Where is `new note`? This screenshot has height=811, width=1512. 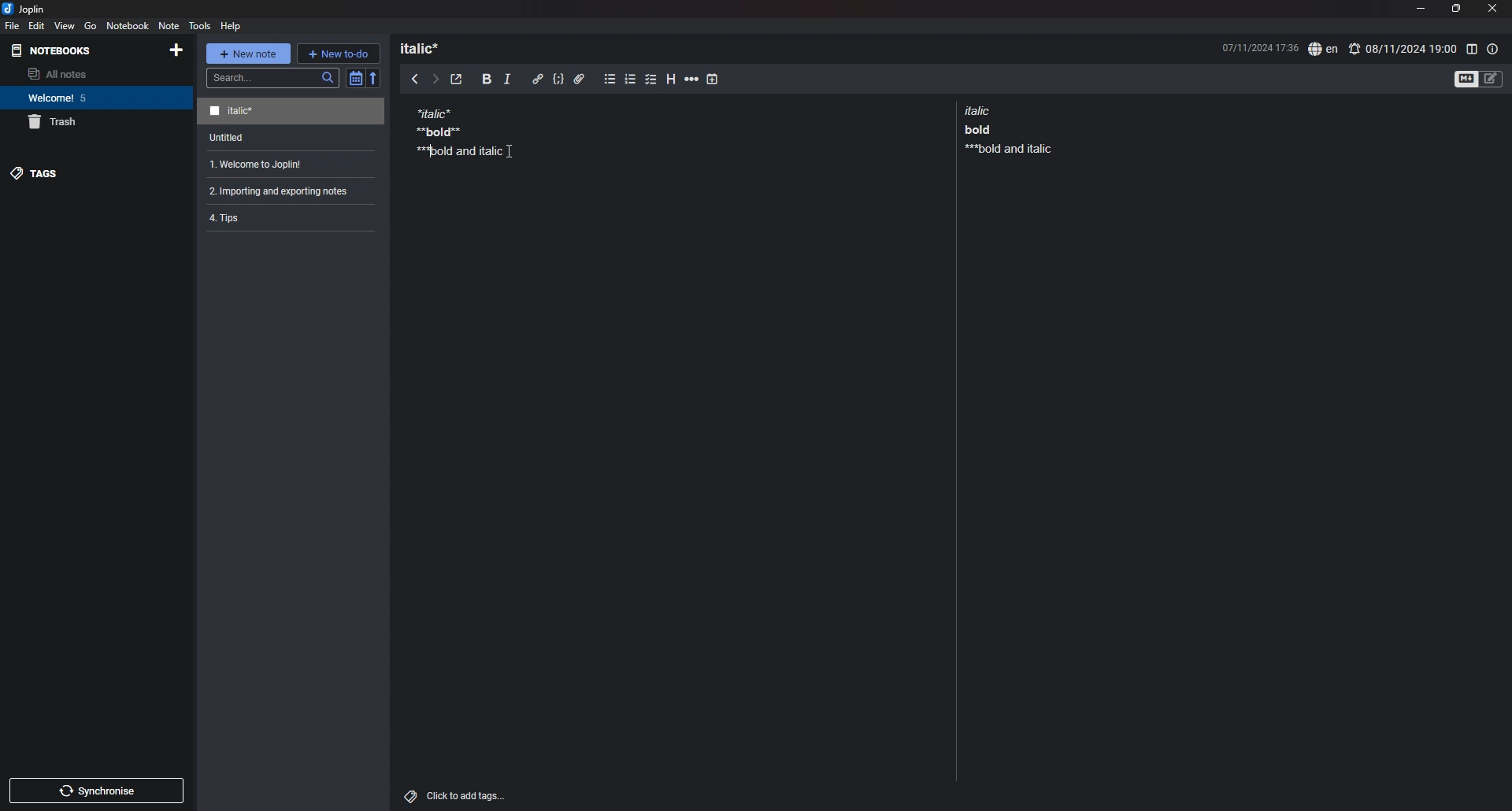 new note is located at coordinates (247, 54).